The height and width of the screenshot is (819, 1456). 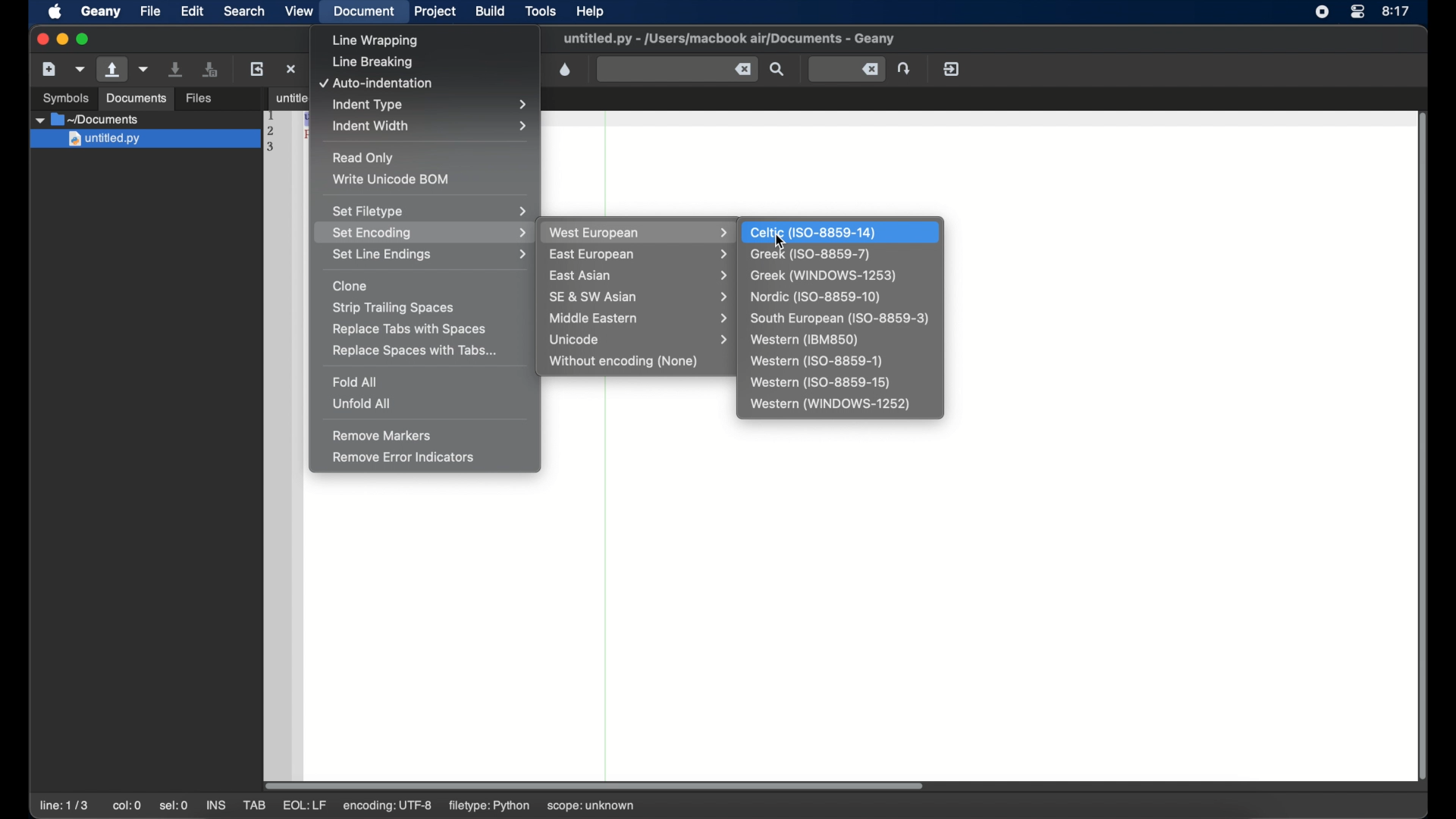 I want to click on untitled.py, so click(x=148, y=119).